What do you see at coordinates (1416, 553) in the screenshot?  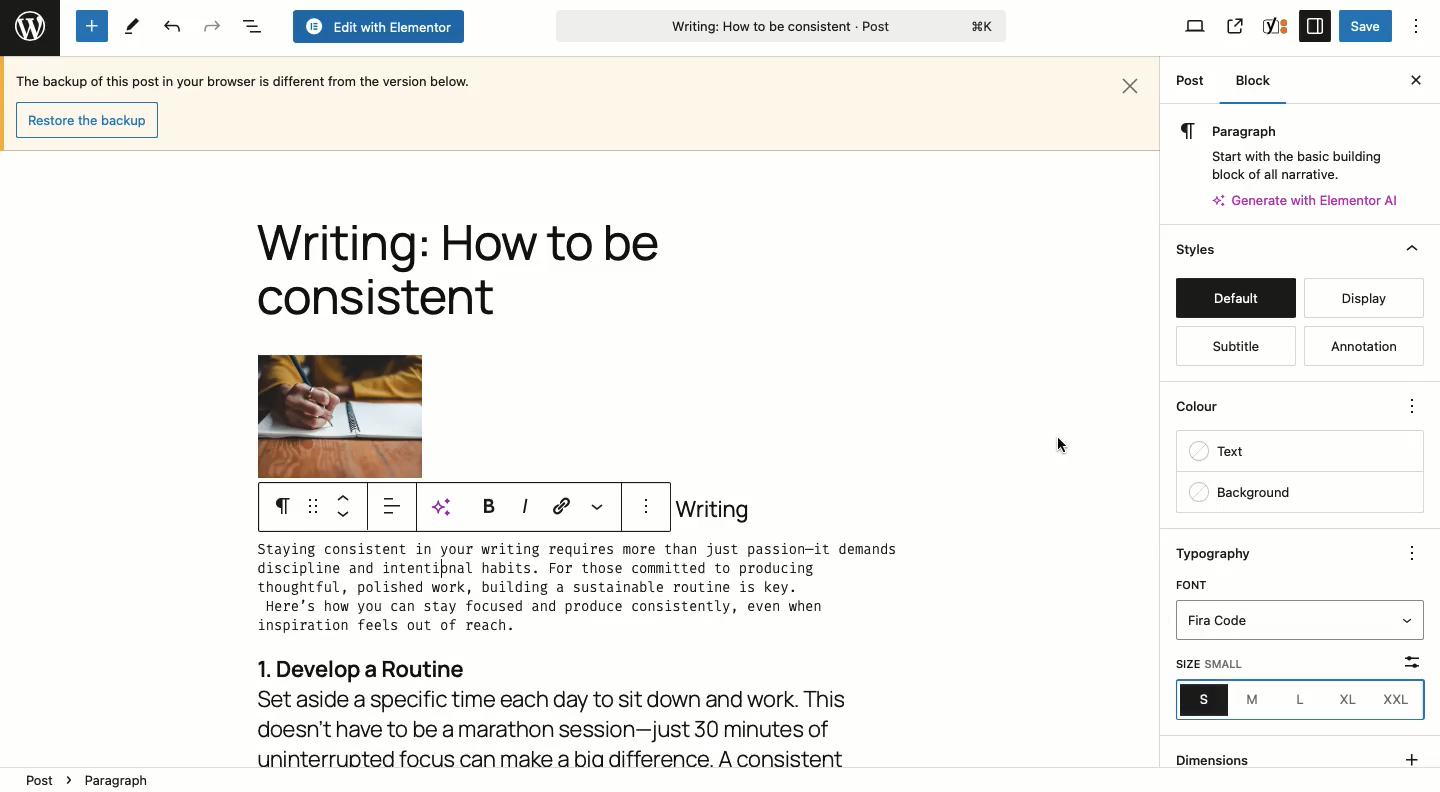 I see `More` at bounding box center [1416, 553].